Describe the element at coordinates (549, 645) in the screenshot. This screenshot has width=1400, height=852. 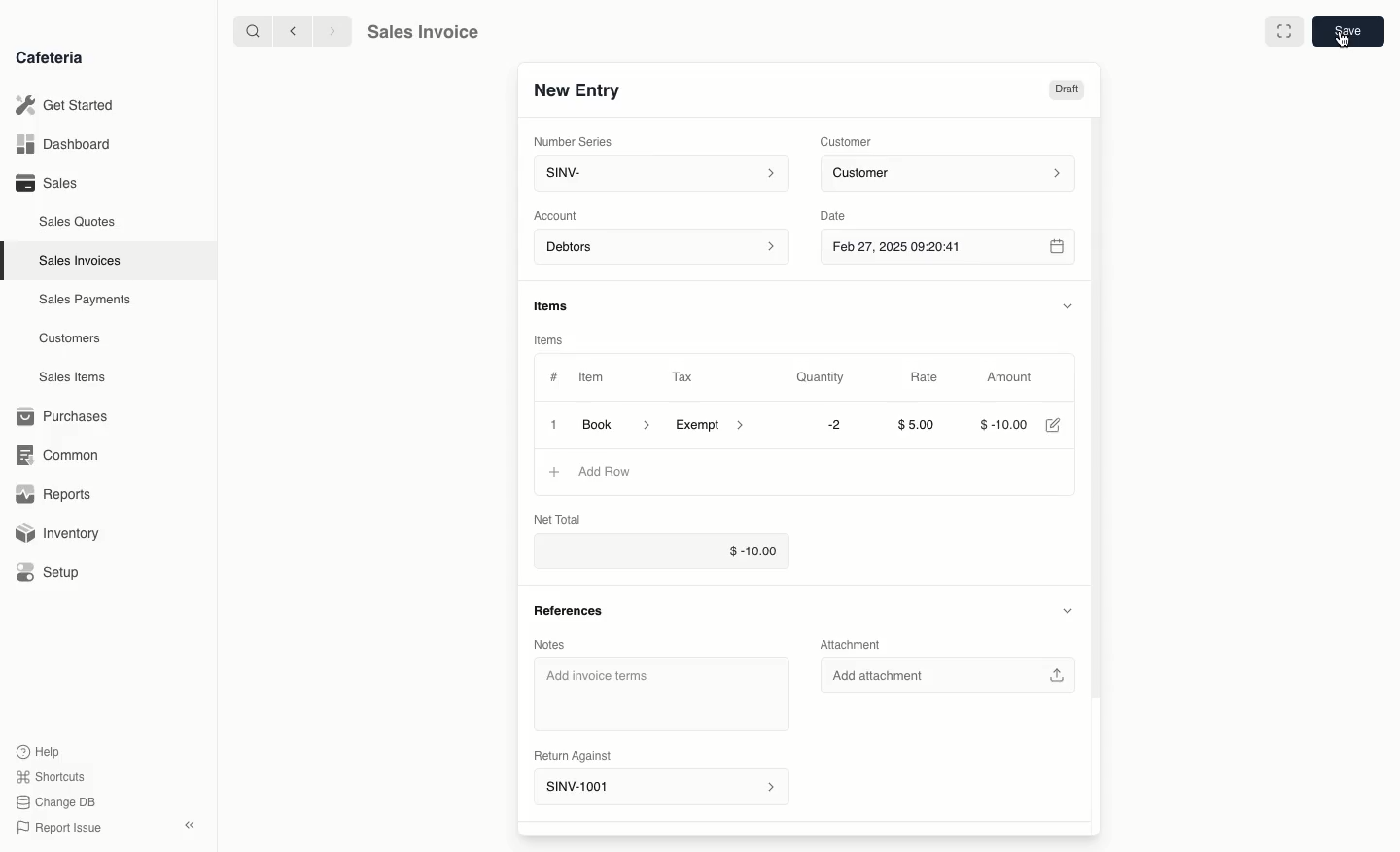
I see `Notes` at that location.